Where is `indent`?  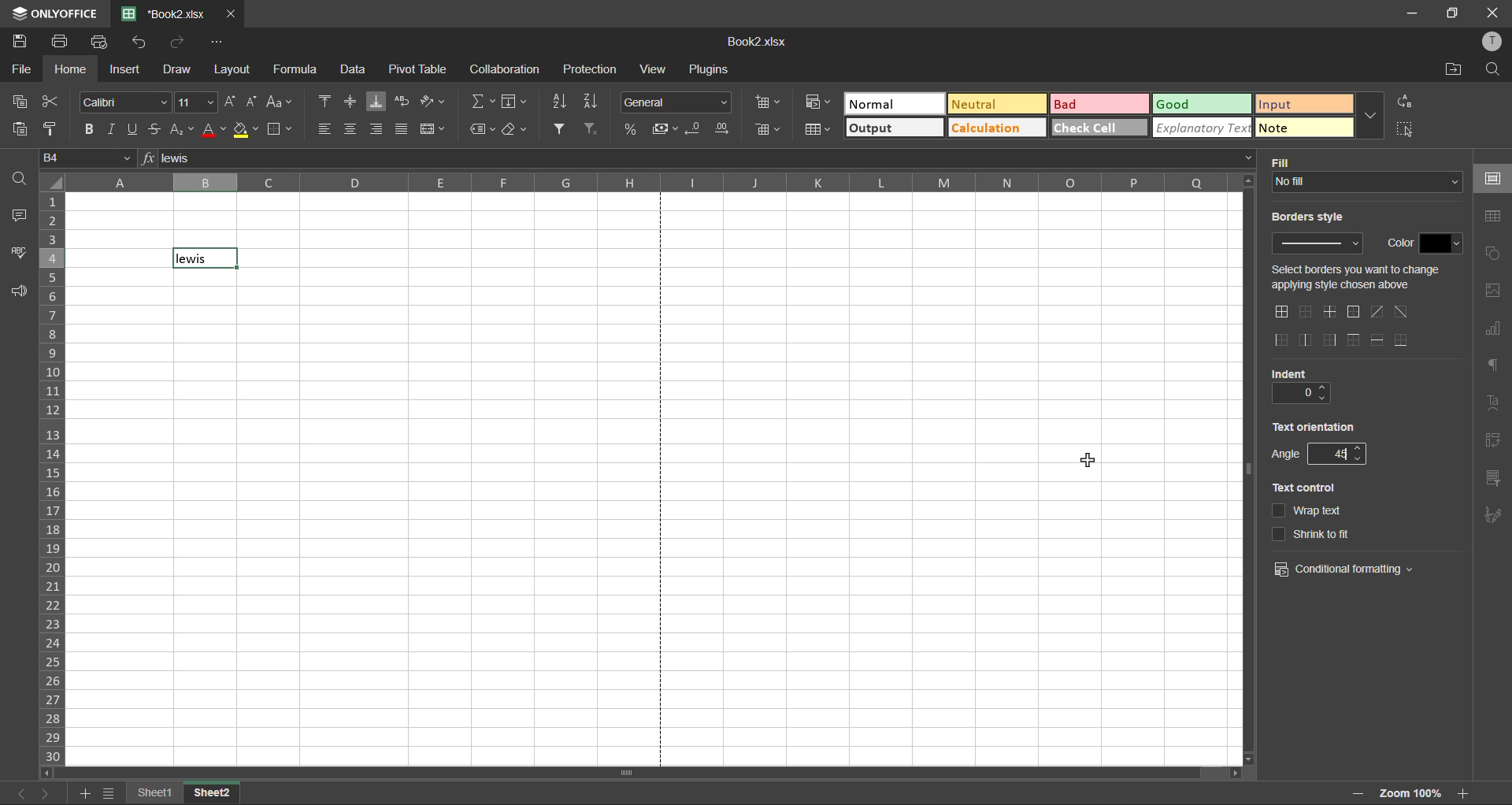 indent is located at coordinates (1285, 374).